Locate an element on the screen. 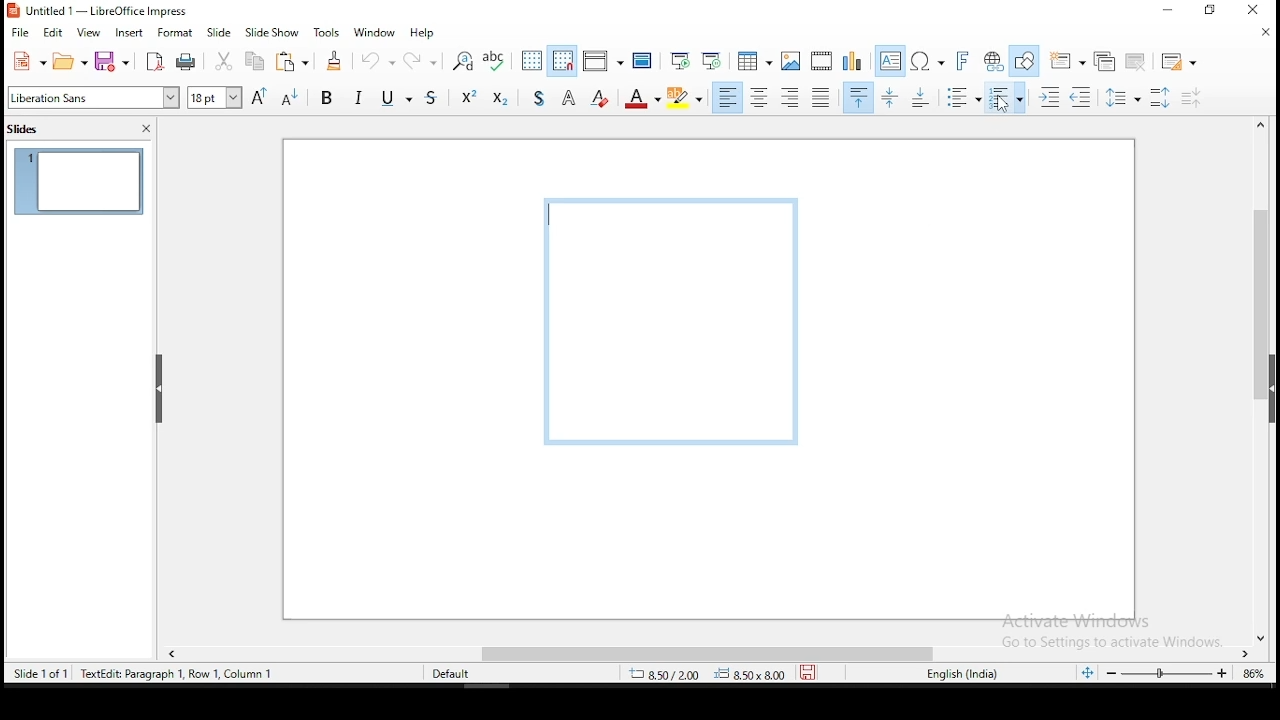 This screenshot has height=720, width=1280.  slide layout is located at coordinates (1180, 60).